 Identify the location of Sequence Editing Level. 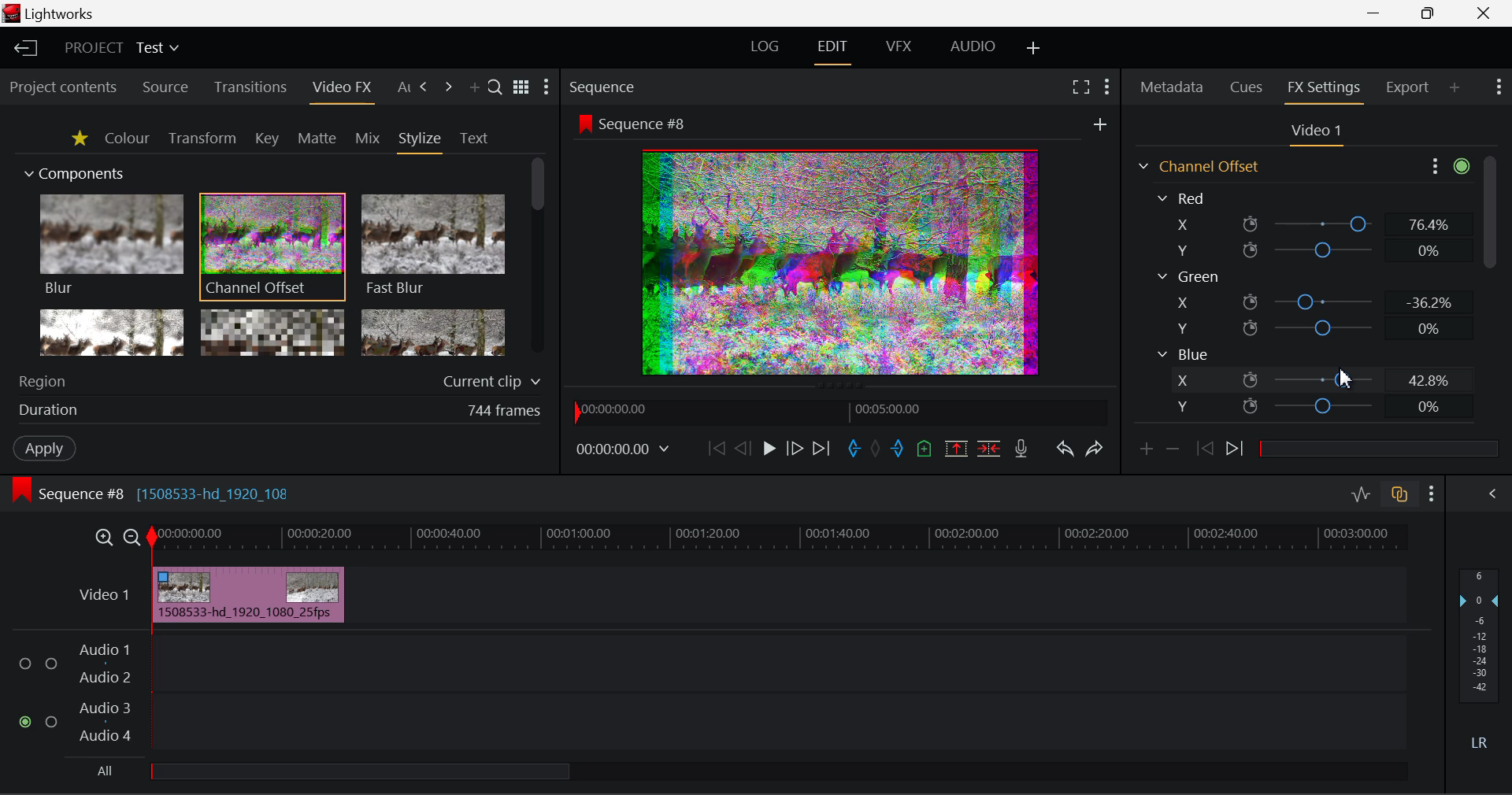
(62, 496).